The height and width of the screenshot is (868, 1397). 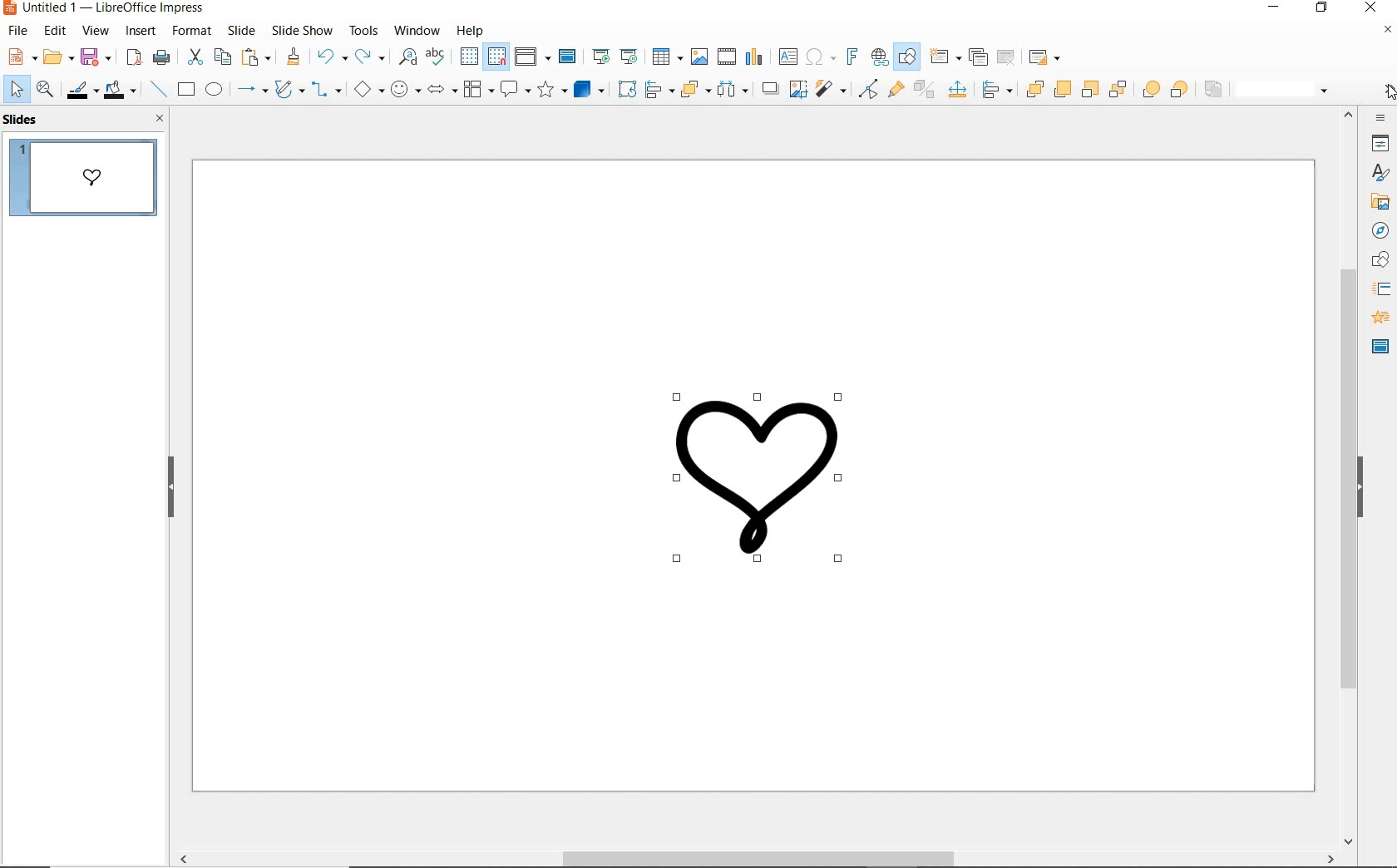 What do you see at coordinates (1389, 94) in the screenshot?
I see `Cursor` at bounding box center [1389, 94].